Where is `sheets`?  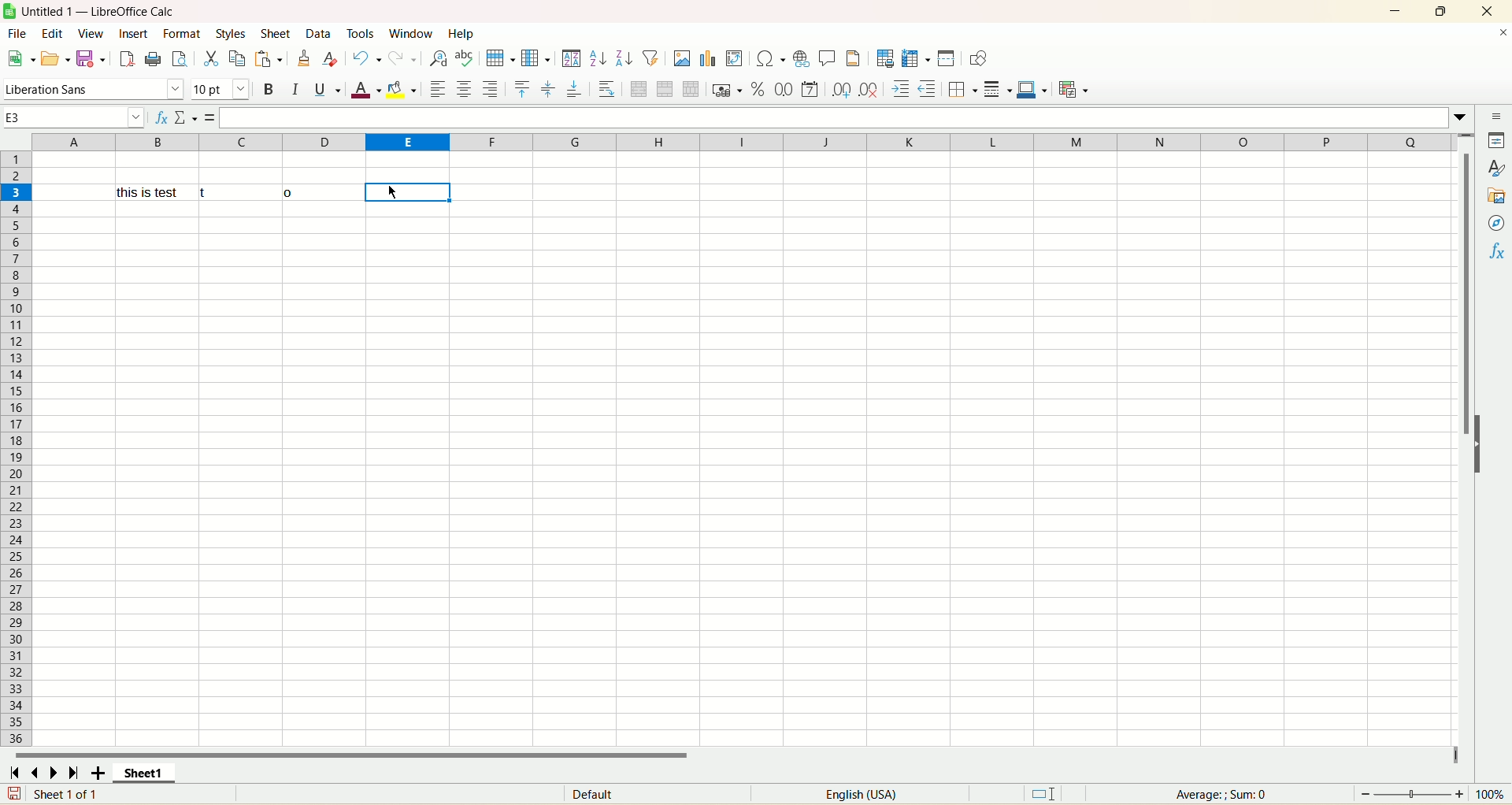 sheets is located at coordinates (276, 32).